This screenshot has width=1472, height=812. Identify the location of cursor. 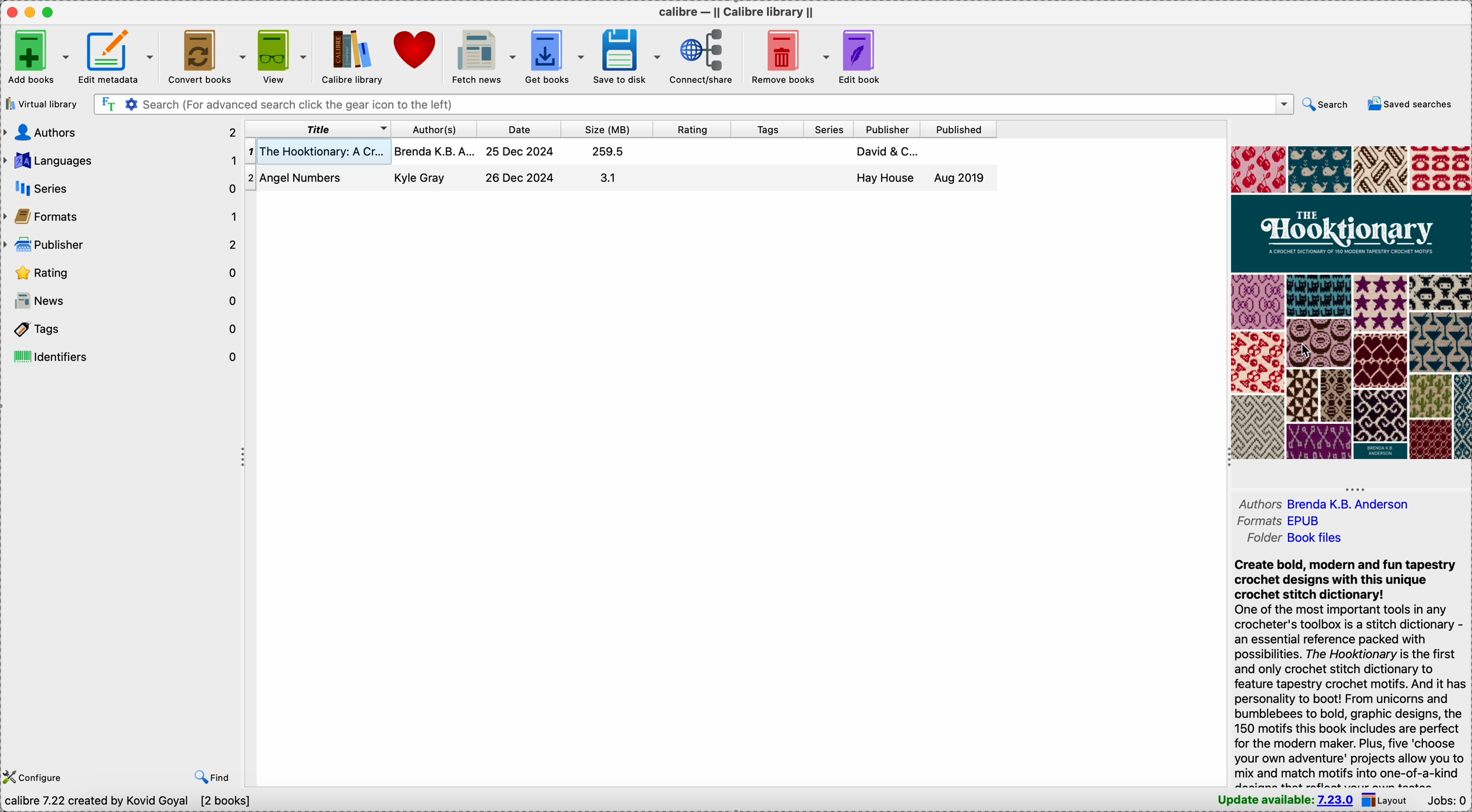
(1299, 351).